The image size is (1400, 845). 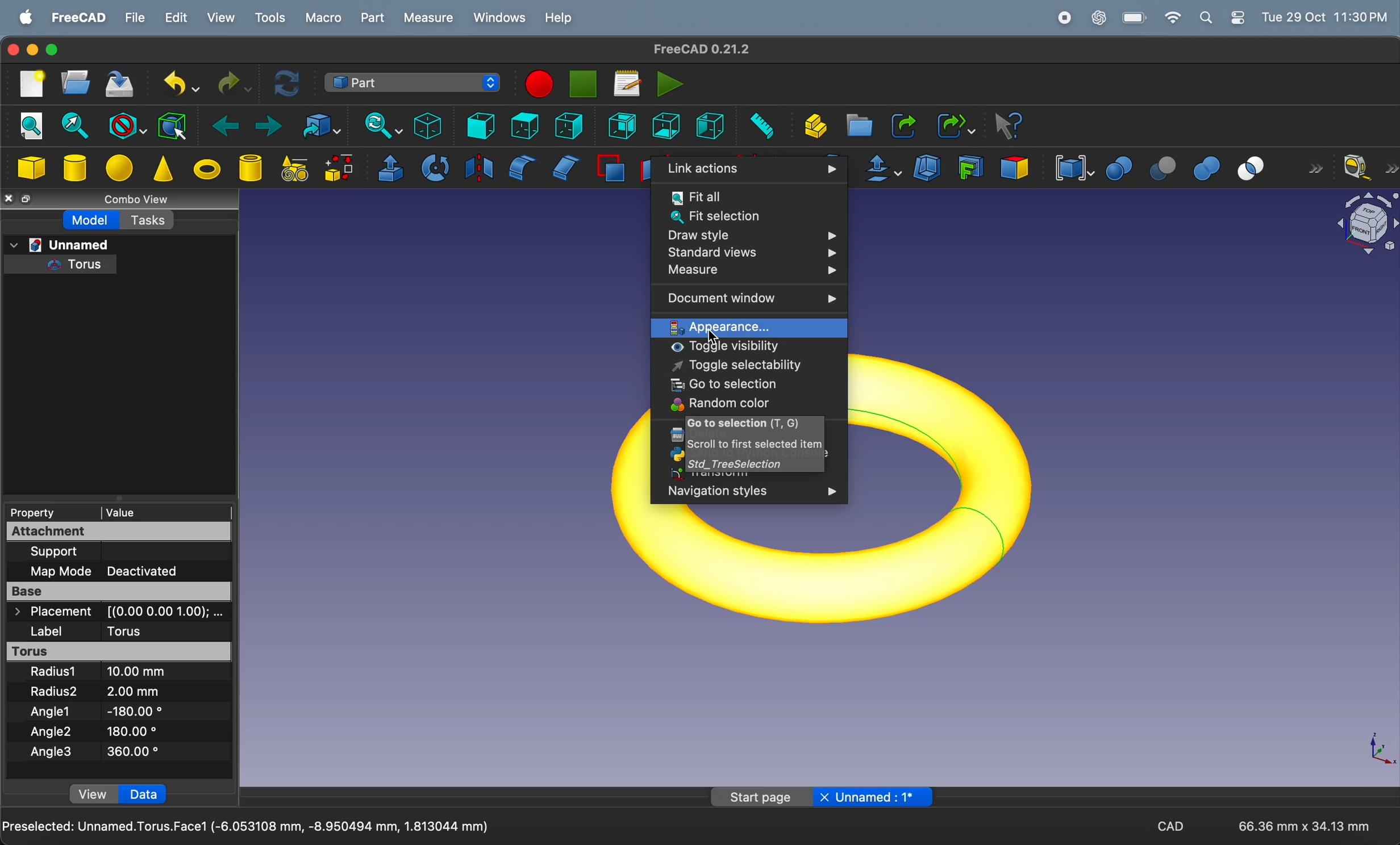 What do you see at coordinates (622, 126) in the screenshot?
I see `rear view` at bounding box center [622, 126].